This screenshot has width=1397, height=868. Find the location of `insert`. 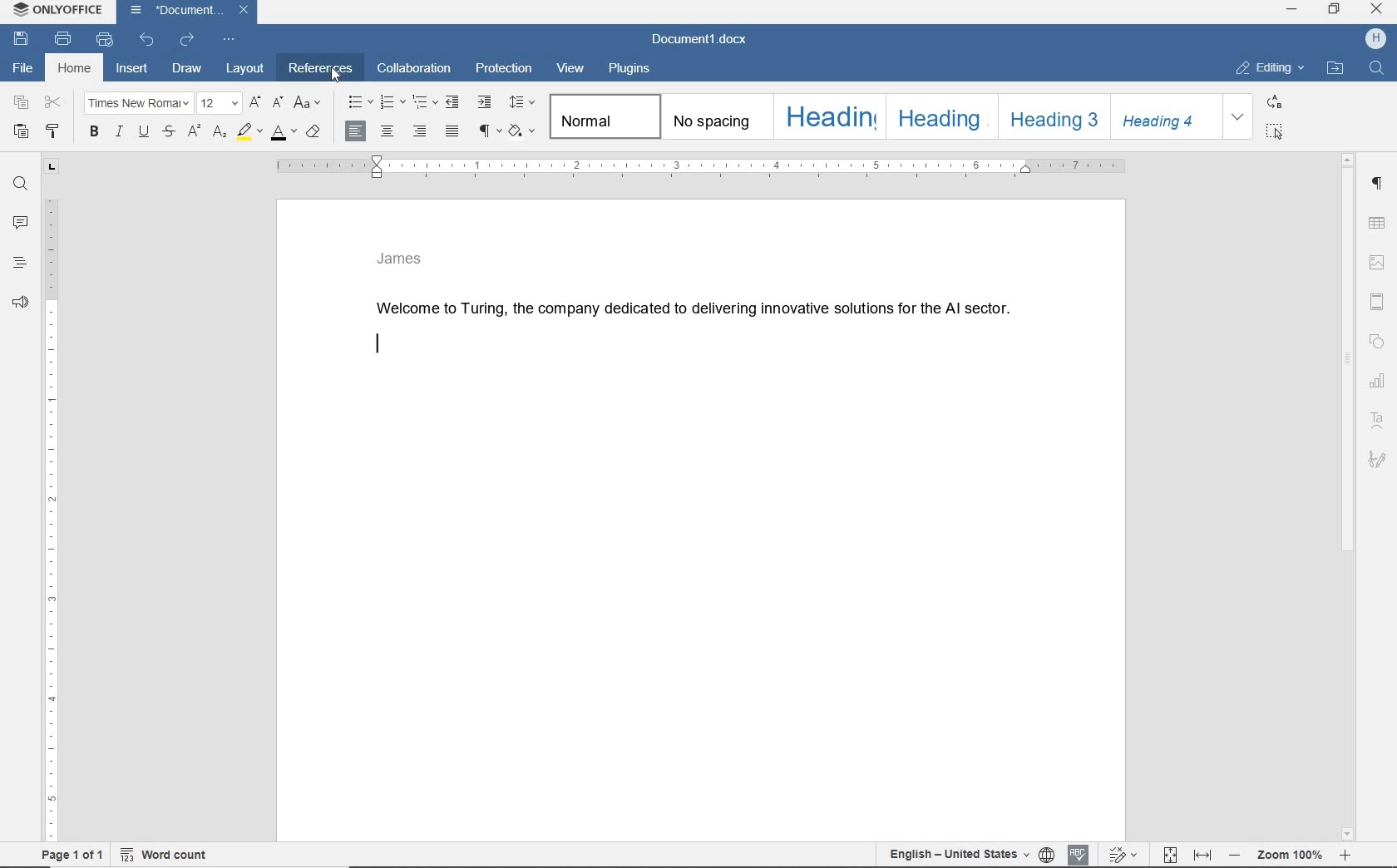

insert is located at coordinates (132, 70).